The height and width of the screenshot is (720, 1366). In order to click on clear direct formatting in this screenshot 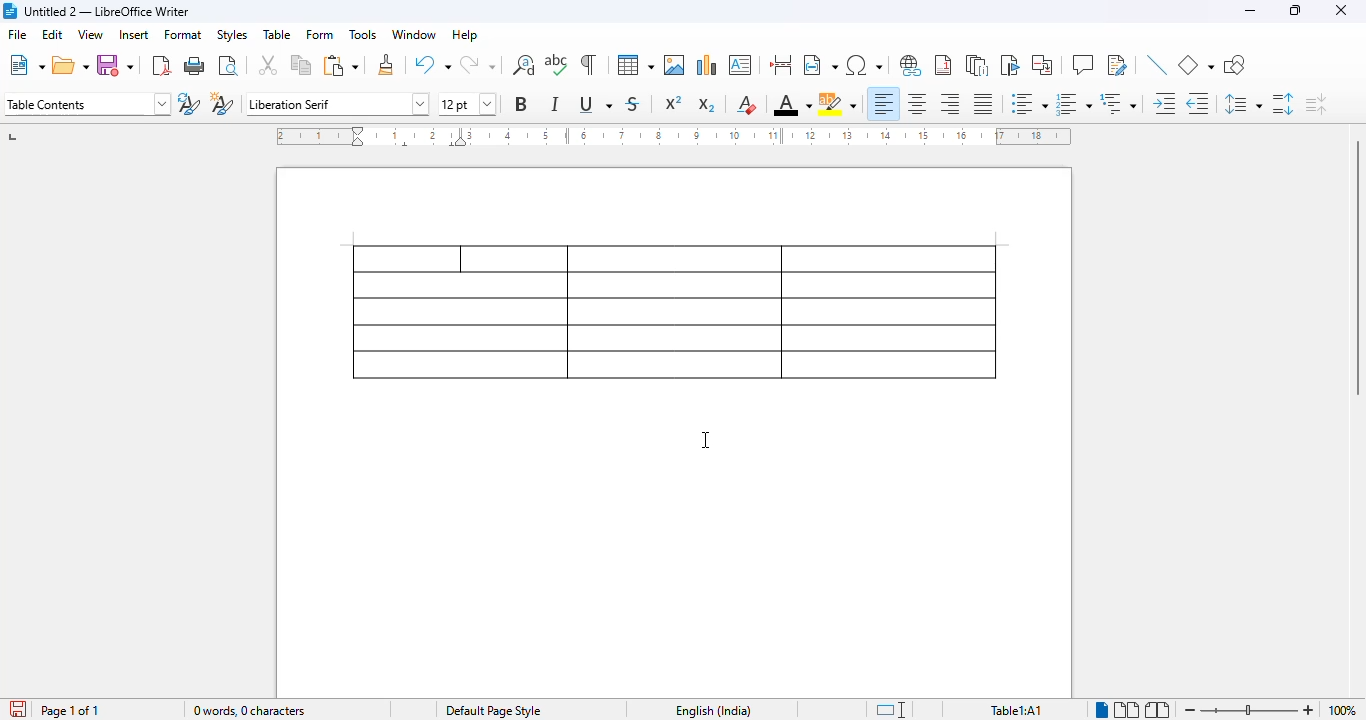, I will do `click(747, 104)`.